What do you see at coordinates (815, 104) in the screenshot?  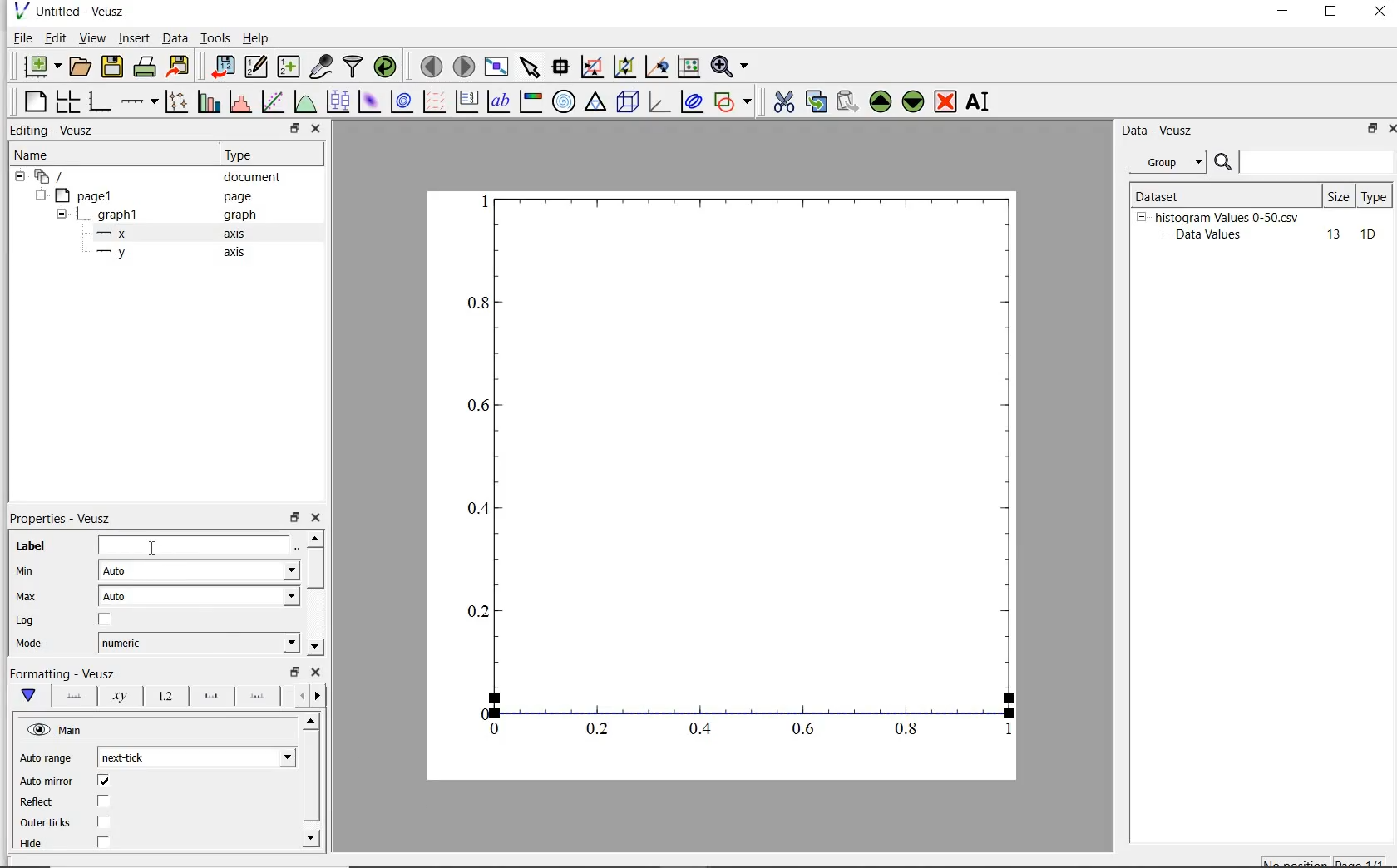 I see `copy the selected widget` at bounding box center [815, 104].